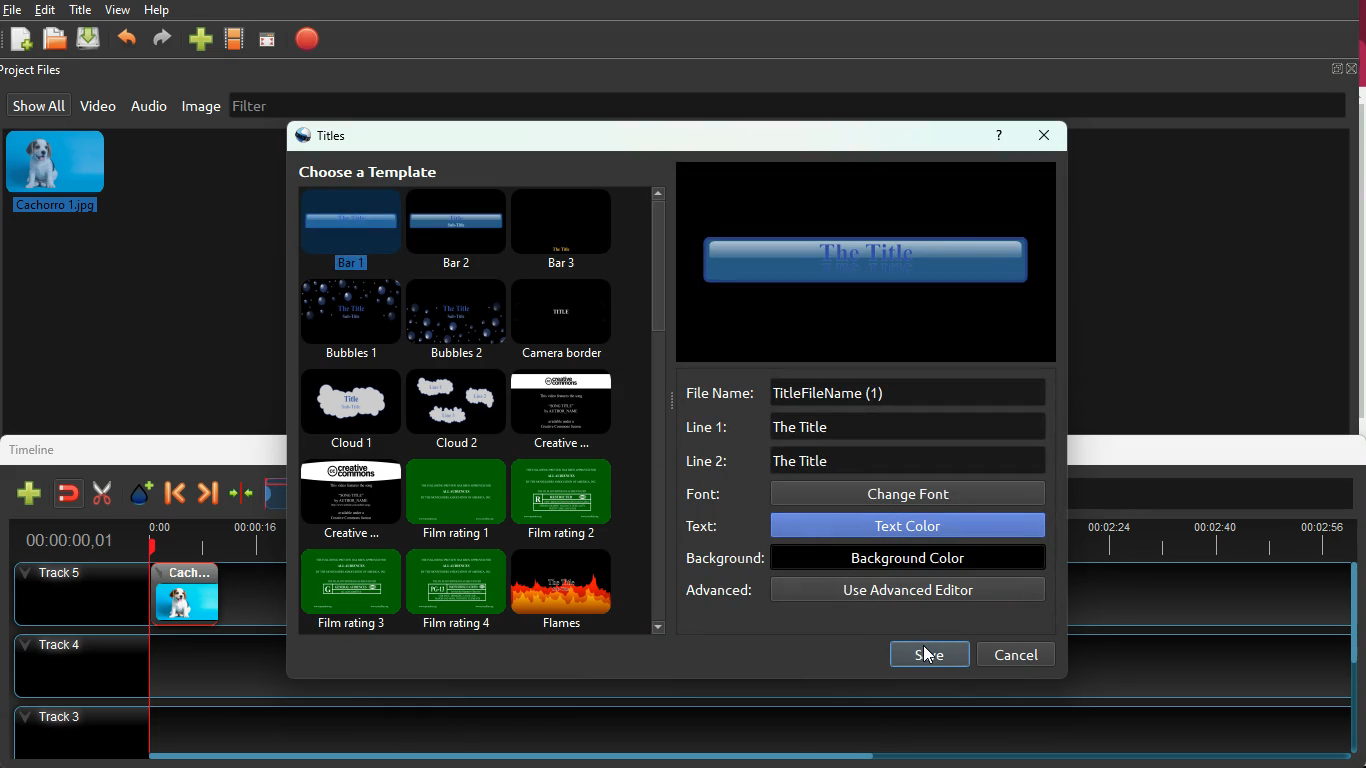  Describe the element at coordinates (202, 106) in the screenshot. I see `image` at that location.